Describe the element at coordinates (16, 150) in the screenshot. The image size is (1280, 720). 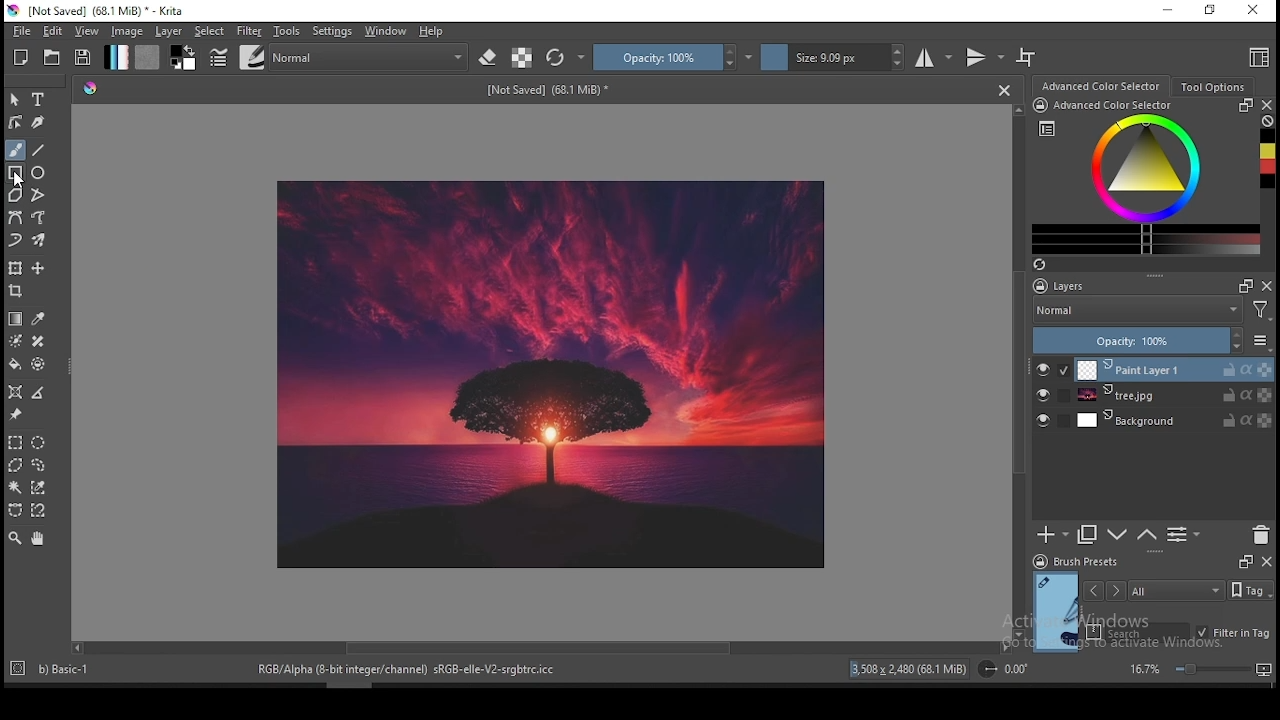
I see `brush tool` at that location.